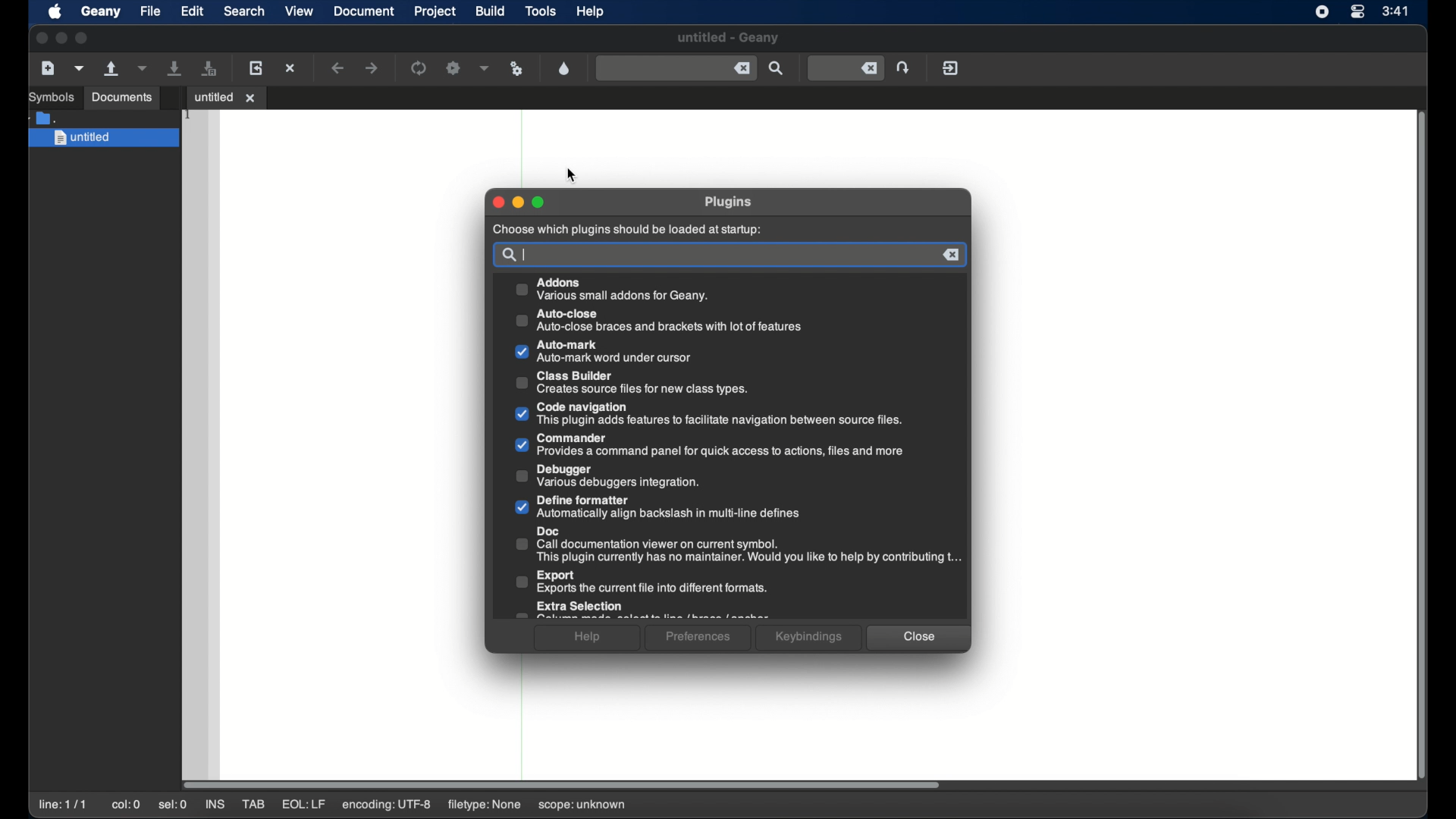 This screenshot has width=1456, height=819. What do you see at coordinates (372, 68) in the screenshot?
I see `navigate forward a location` at bounding box center [372, 68].